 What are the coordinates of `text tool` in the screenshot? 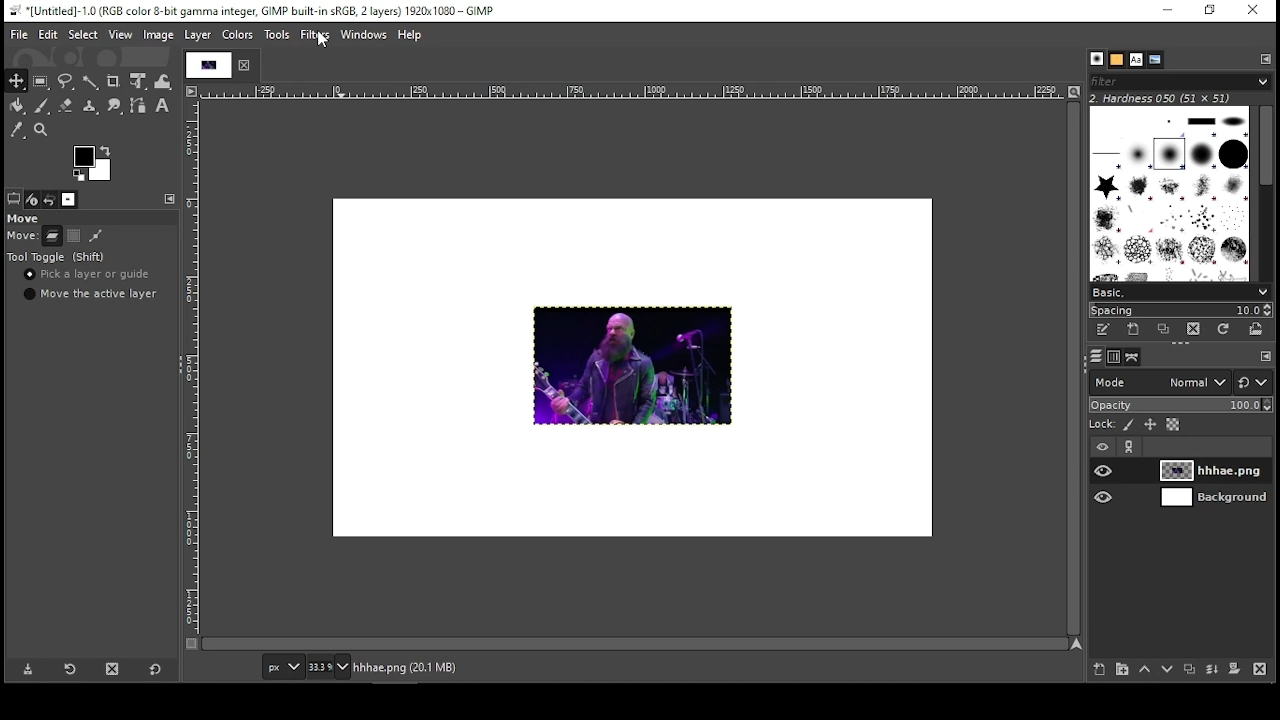 It's located at (164, 109).